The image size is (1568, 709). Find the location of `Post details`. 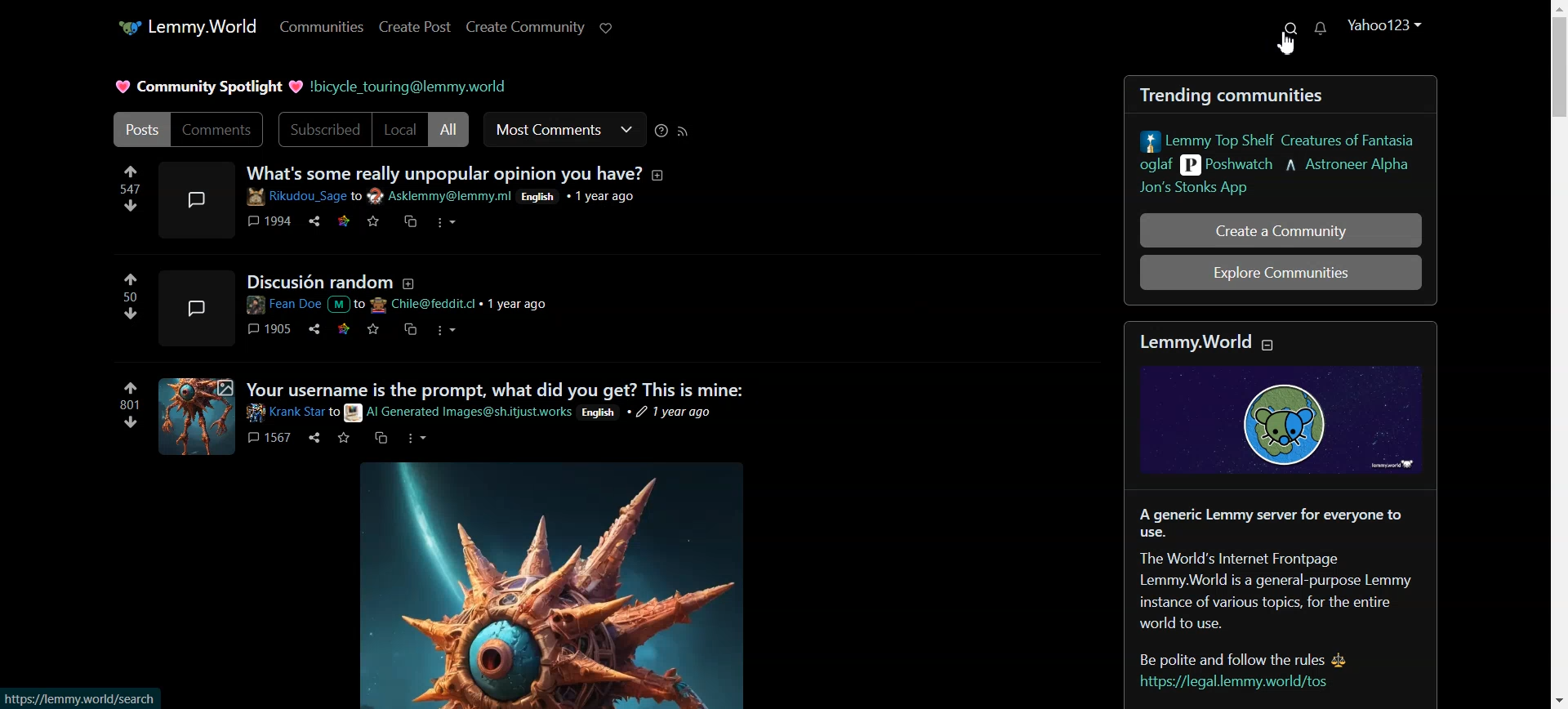

Post details is located at coordinates (479, 411).